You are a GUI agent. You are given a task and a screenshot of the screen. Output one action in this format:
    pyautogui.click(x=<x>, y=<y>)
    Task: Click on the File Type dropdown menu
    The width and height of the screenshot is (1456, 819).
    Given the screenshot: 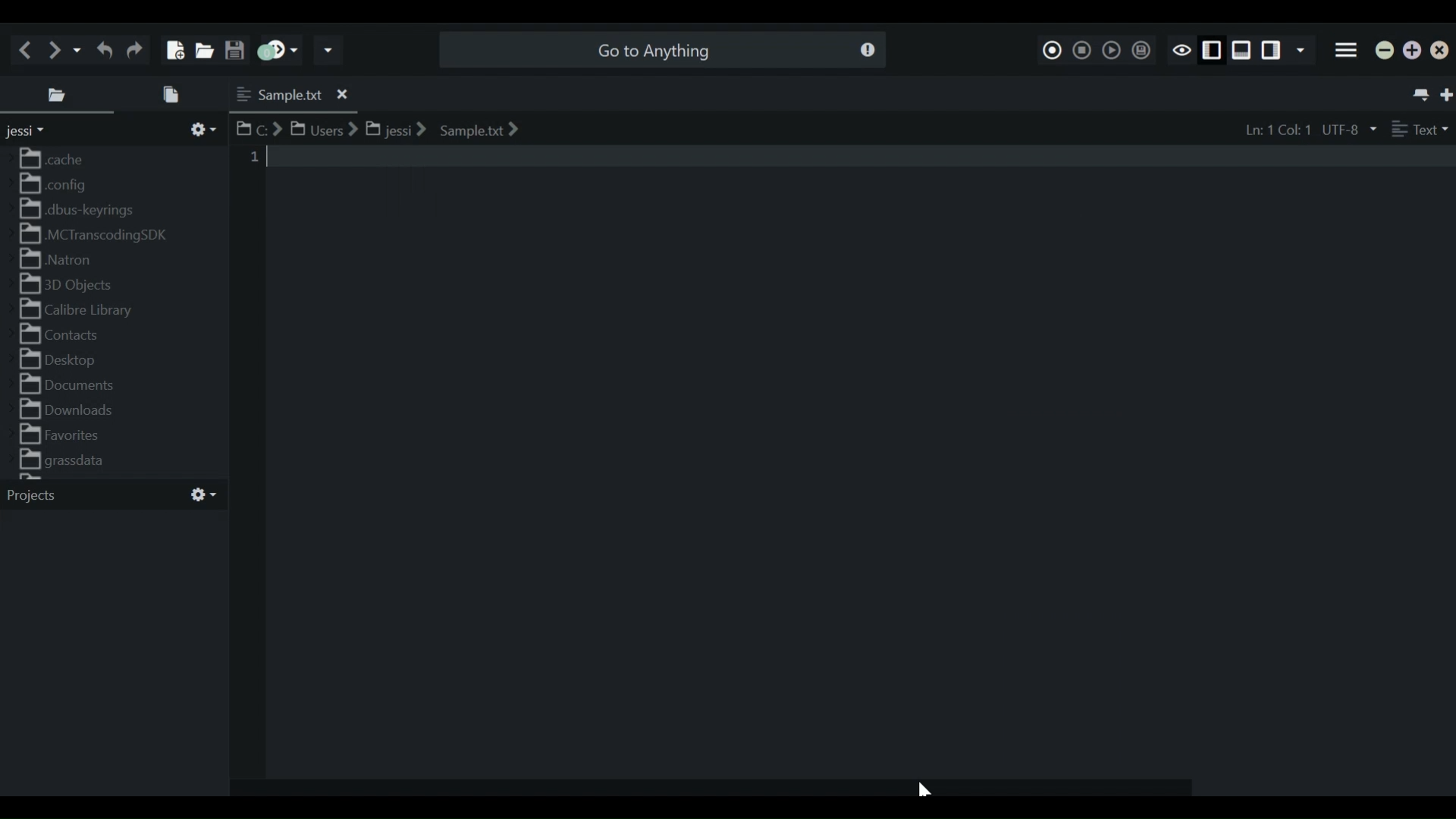 What is the action you would take?
    pyautogui.click(x=1417, y=129)
    